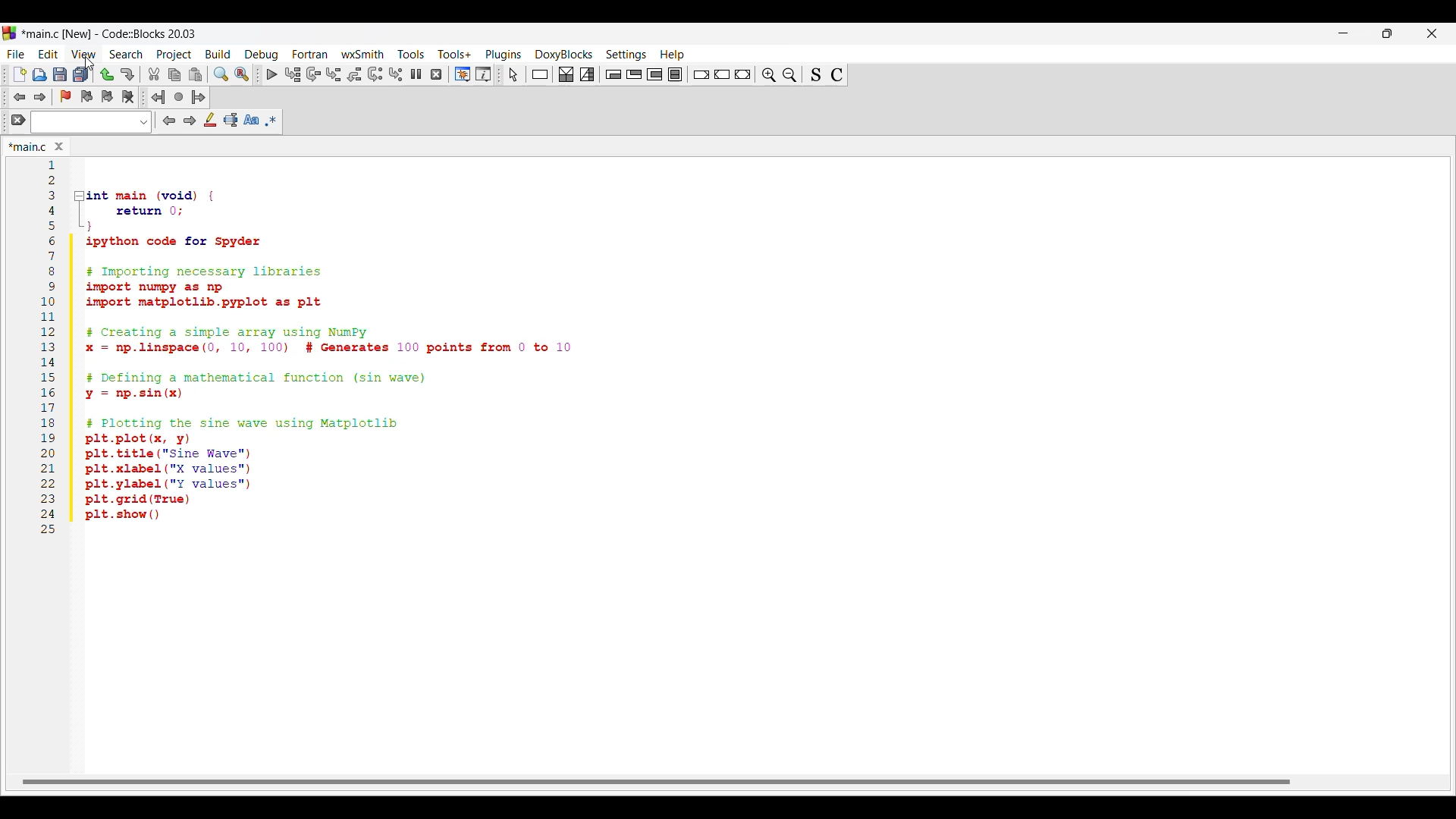 The height and width of the screenshot is (819, 1456). I want to click on Toggle source, so click(816, 74).